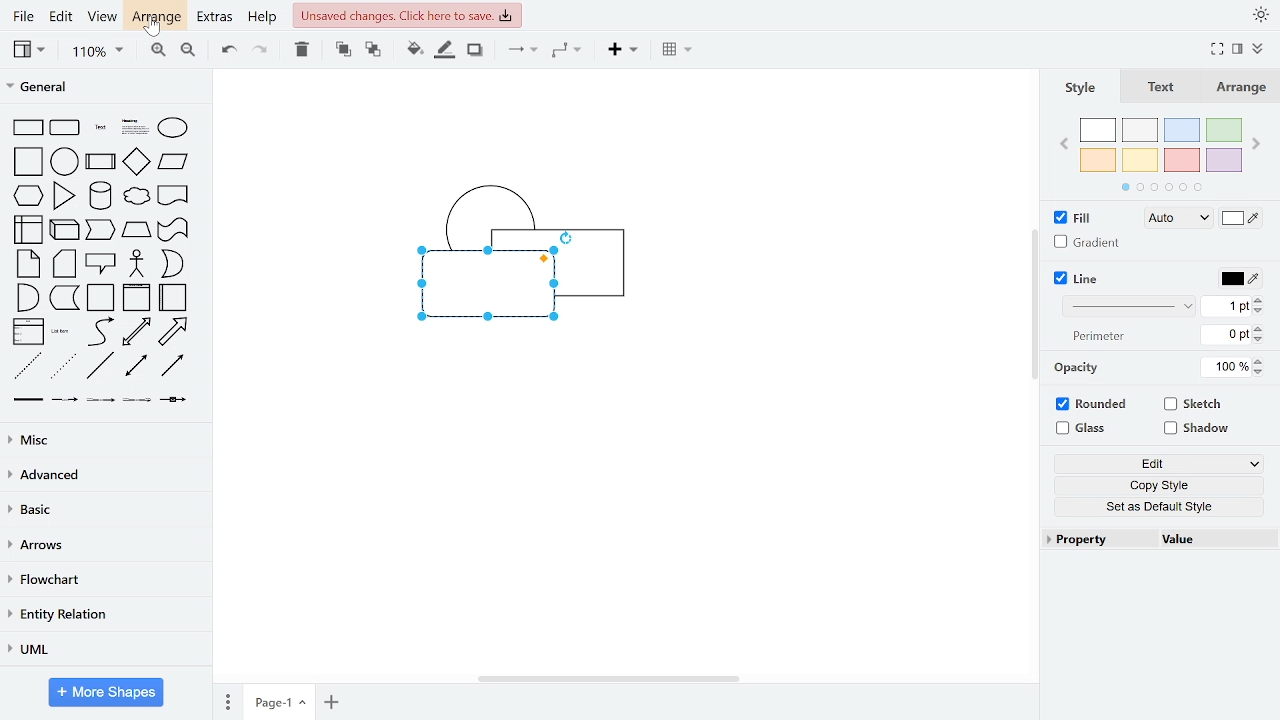 The width and height of the screenshot is (1280, 720). Describe the element at coordinates (1261, 47) in the screenshot. I see `collapse` at that location.